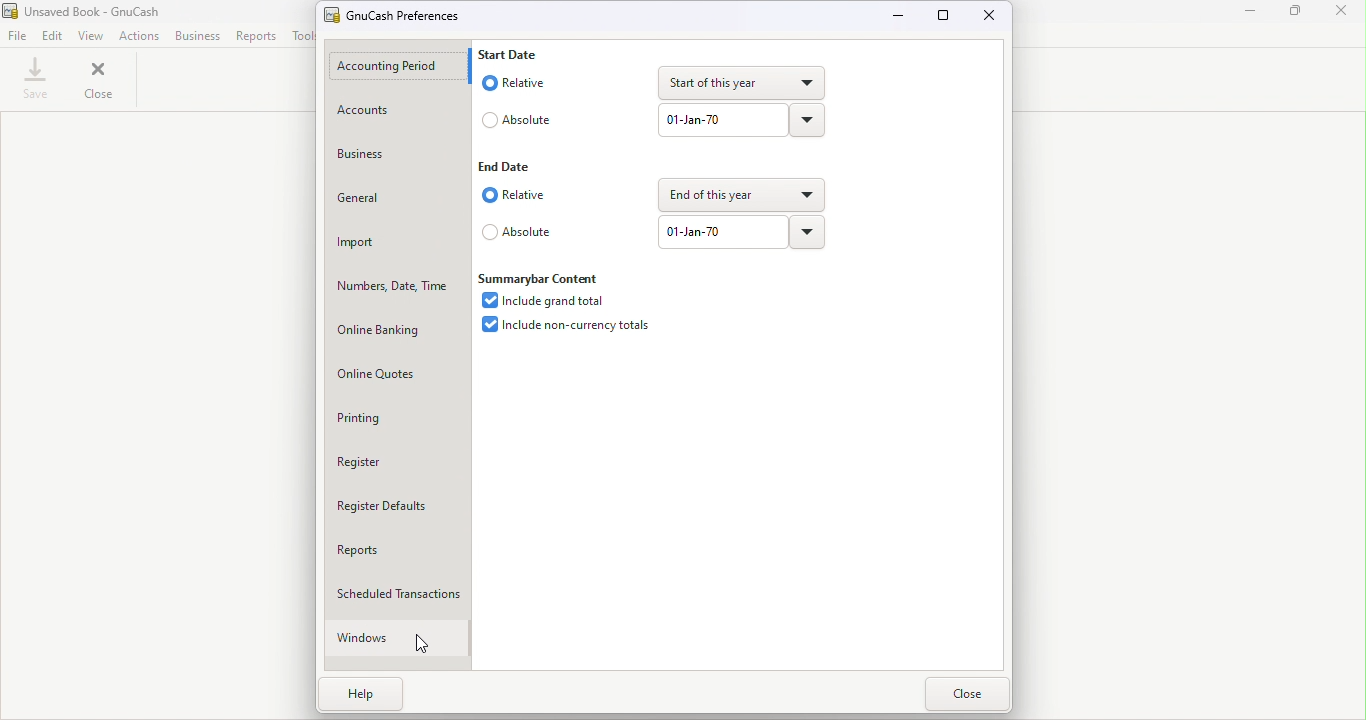 The height and width of the screenshot is (720, 1366). Describe the element at coordinates (546, 277) in the screenshot. I see `Summarybar content` at that location.